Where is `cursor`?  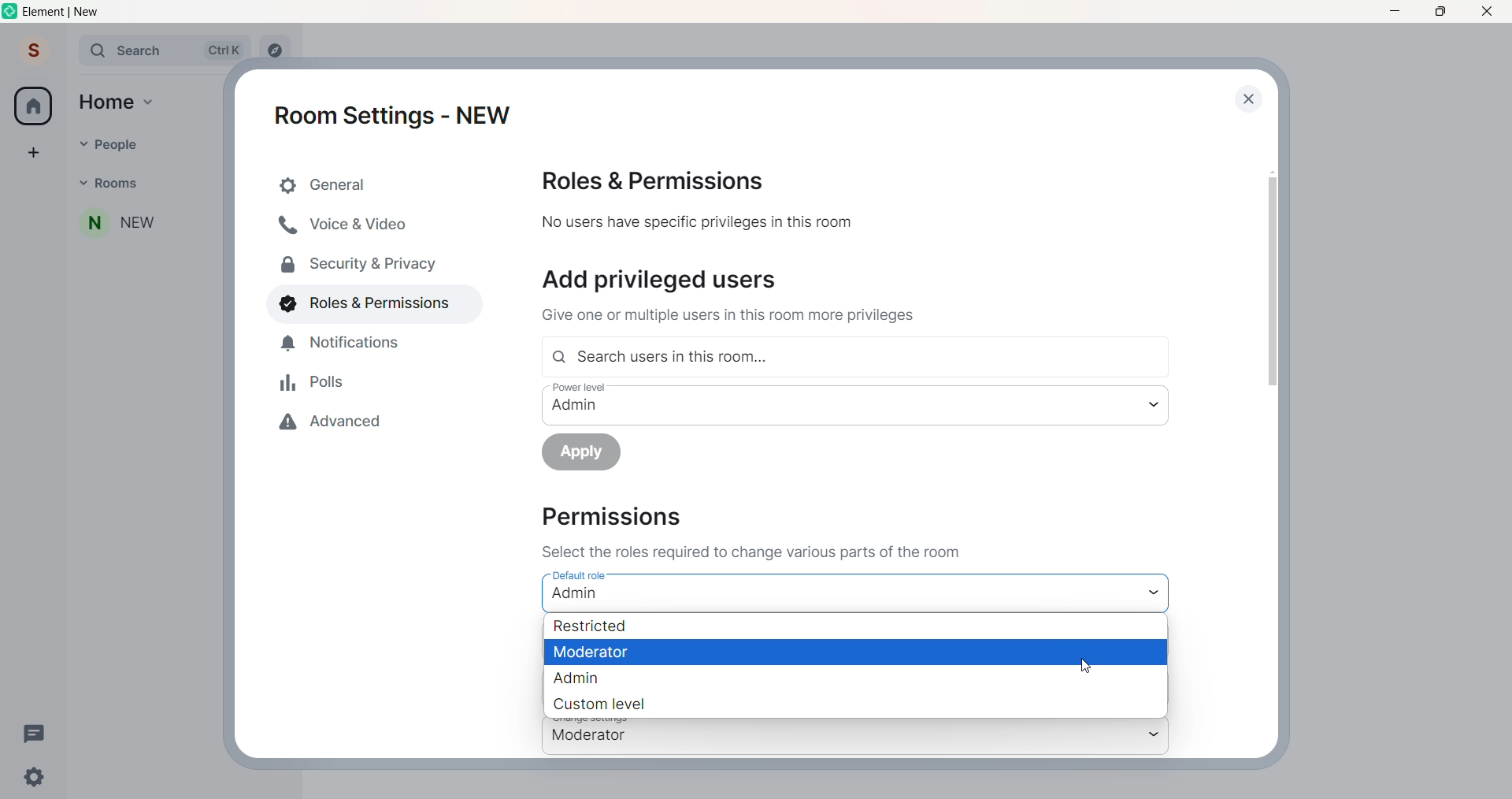
cursor is located at coordinates (1086, 665).